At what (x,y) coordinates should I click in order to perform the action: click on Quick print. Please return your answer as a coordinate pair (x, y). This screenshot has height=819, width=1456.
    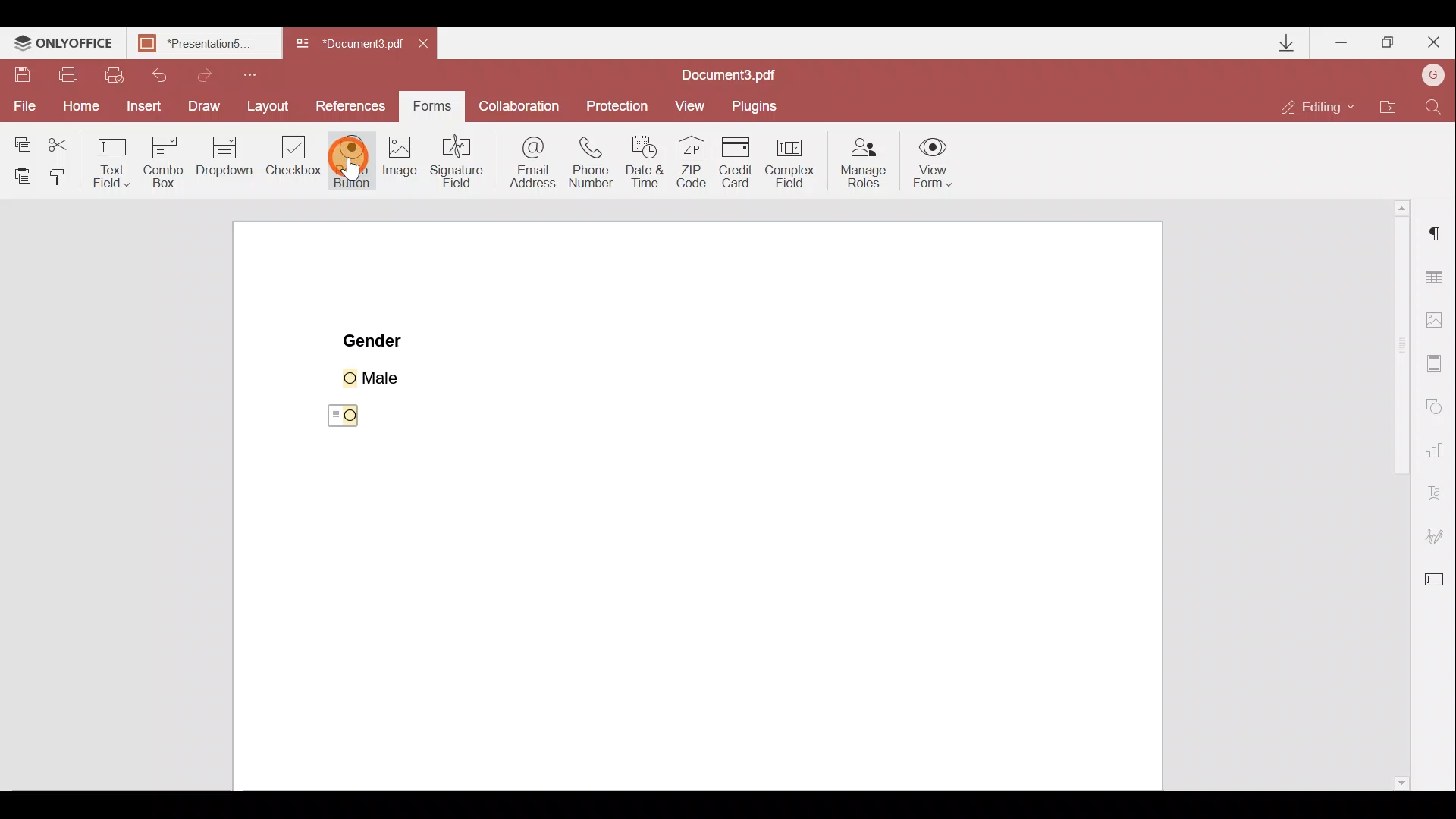
    Looking at the image, I should click on (120, 73).